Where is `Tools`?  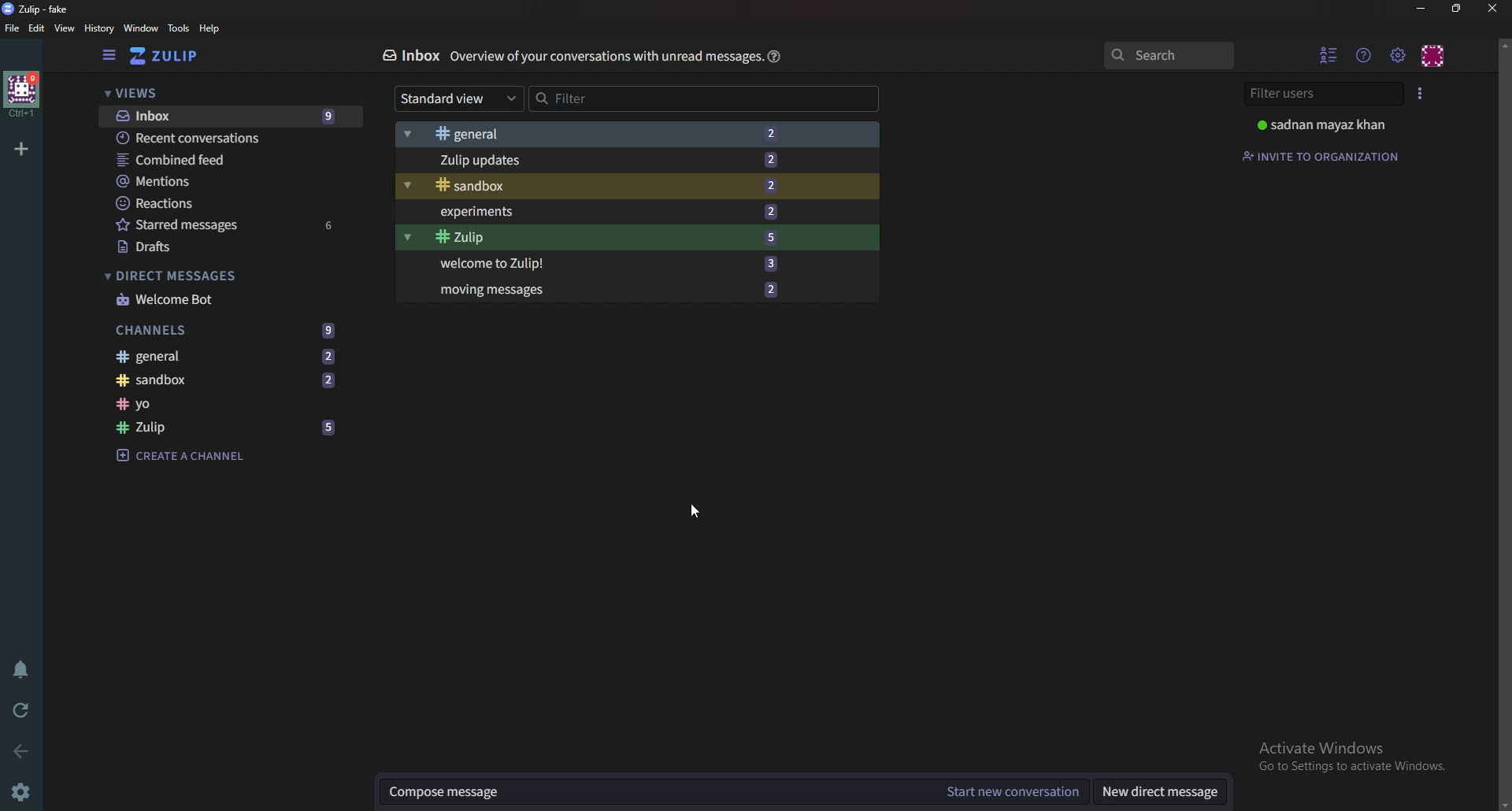 Tools is located at coordinates (179, 29).